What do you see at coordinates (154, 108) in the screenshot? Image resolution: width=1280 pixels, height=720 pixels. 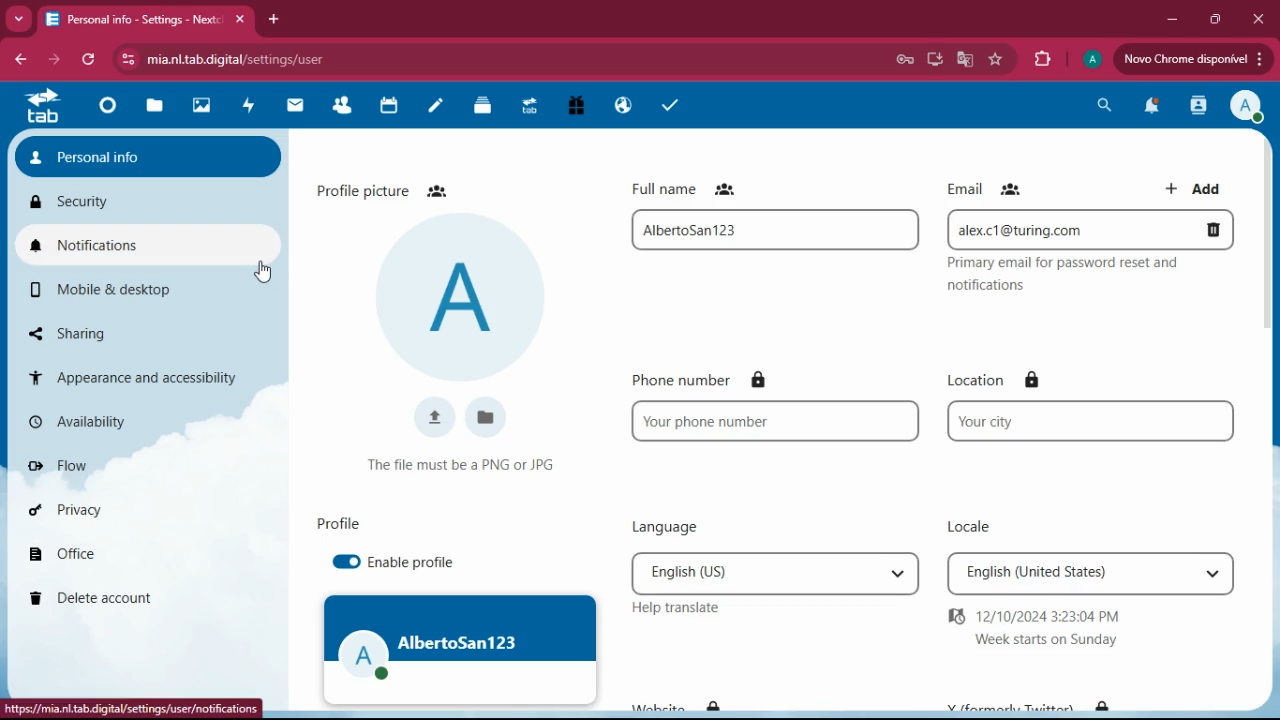 I see `files` at bounding box center [154, 108].